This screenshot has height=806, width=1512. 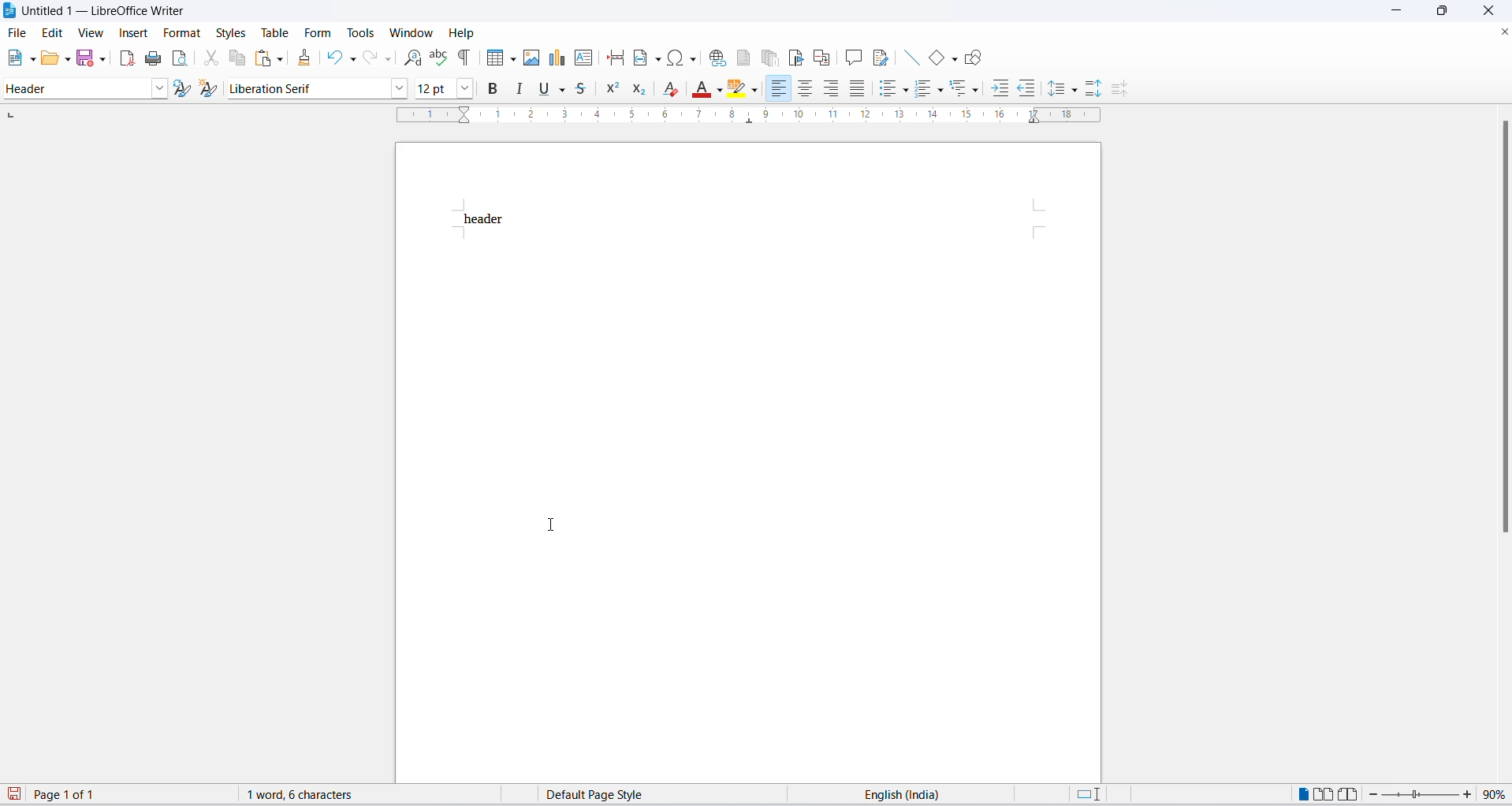 I want to click on clone formatting, so click(x=306, y=58).